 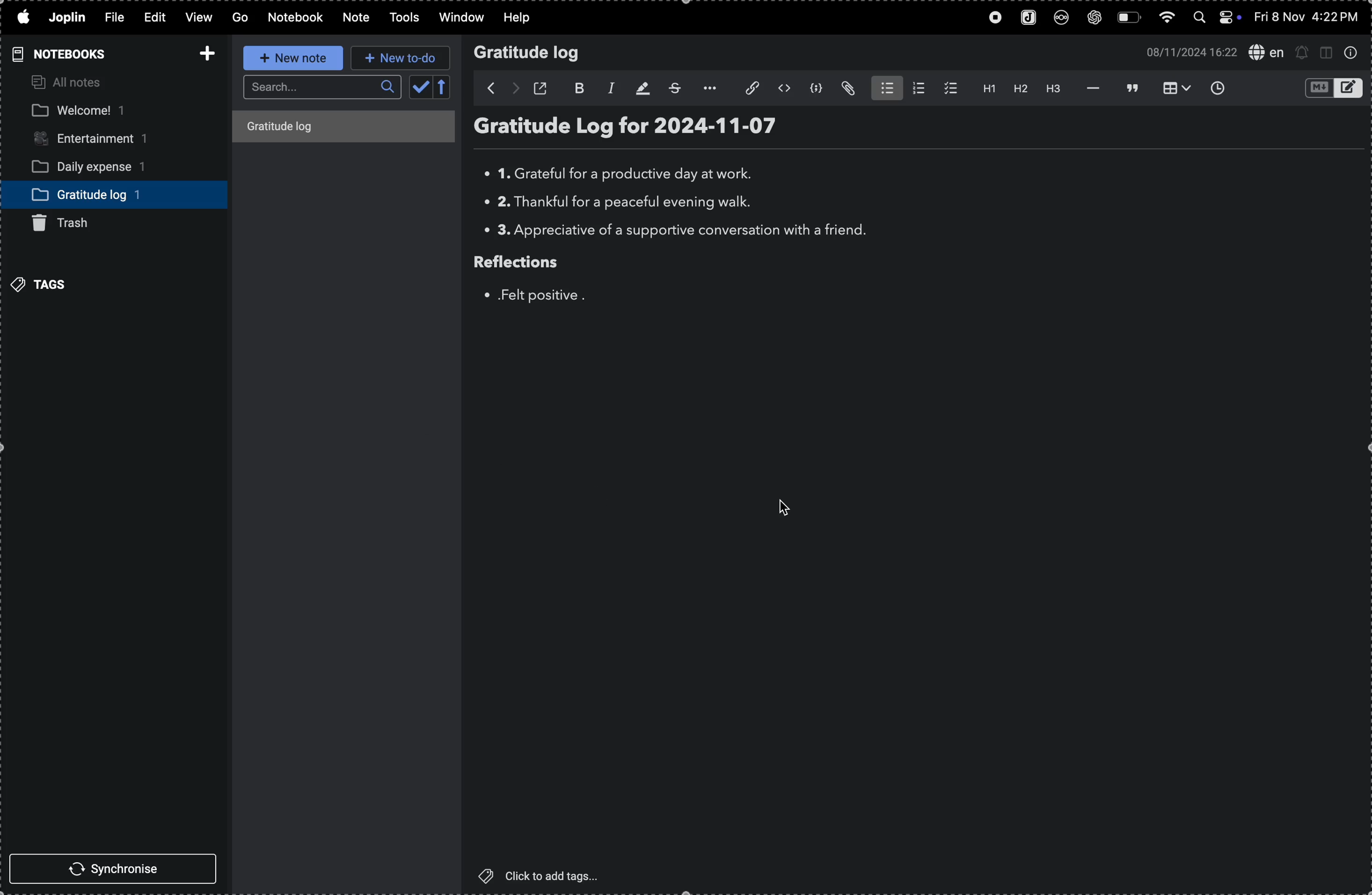 What do you see at coordinates (1190, 51) in the screenshot?
I see `date and time` at bounding box center [1190, 51].